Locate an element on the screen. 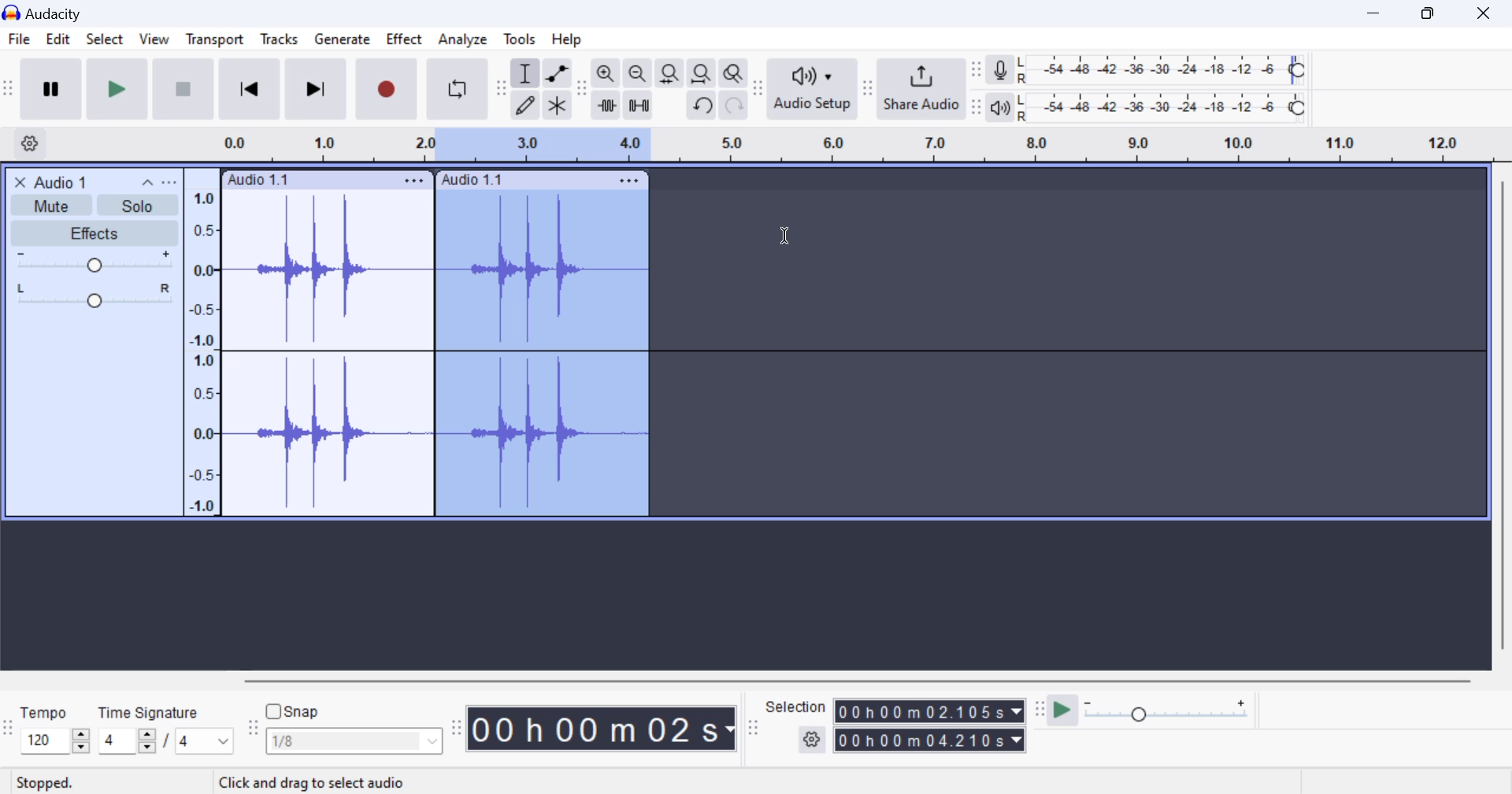  Restore Down is located at coordinates (1376, 13).